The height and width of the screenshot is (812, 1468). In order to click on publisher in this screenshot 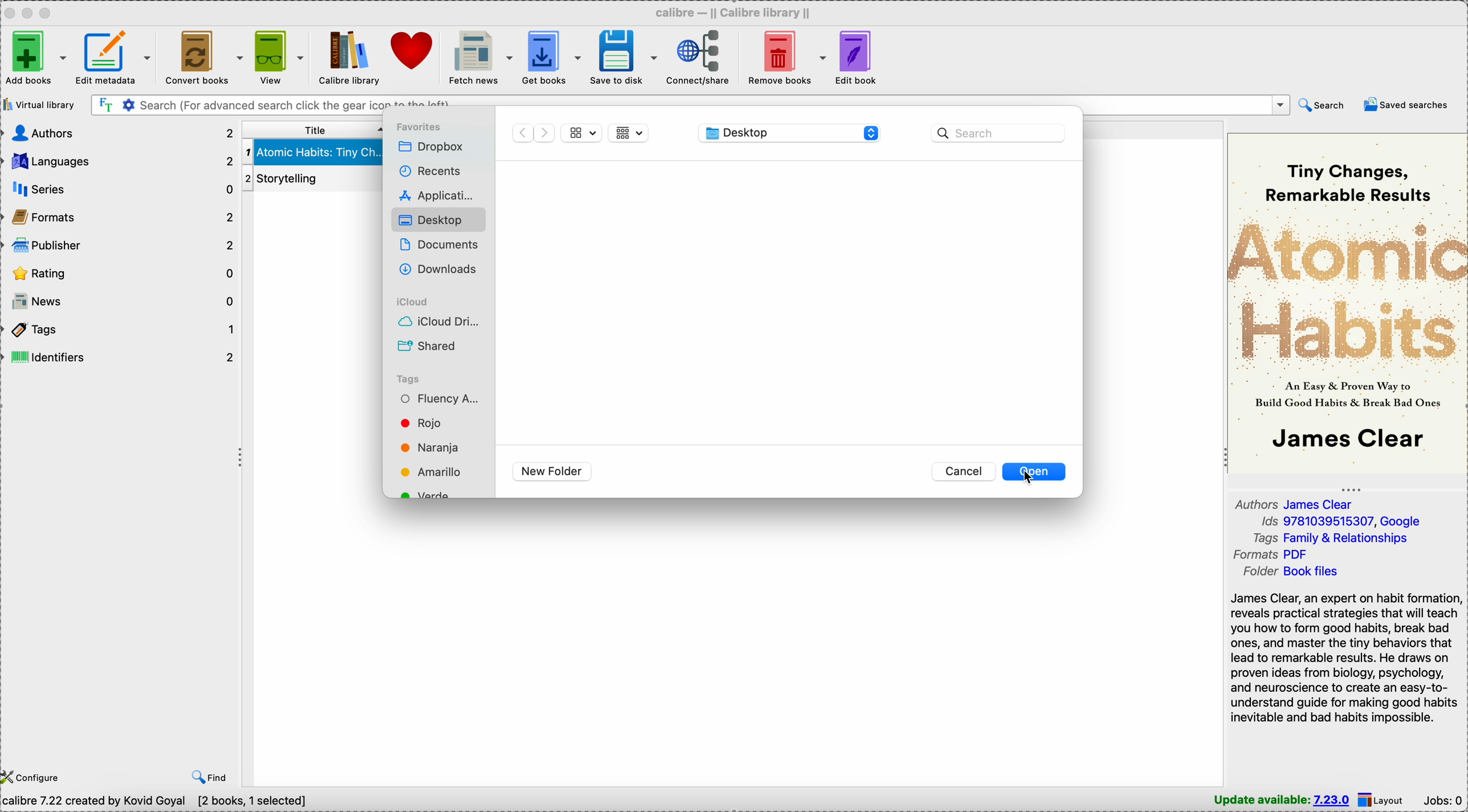, I will do `click(122, 246)`.